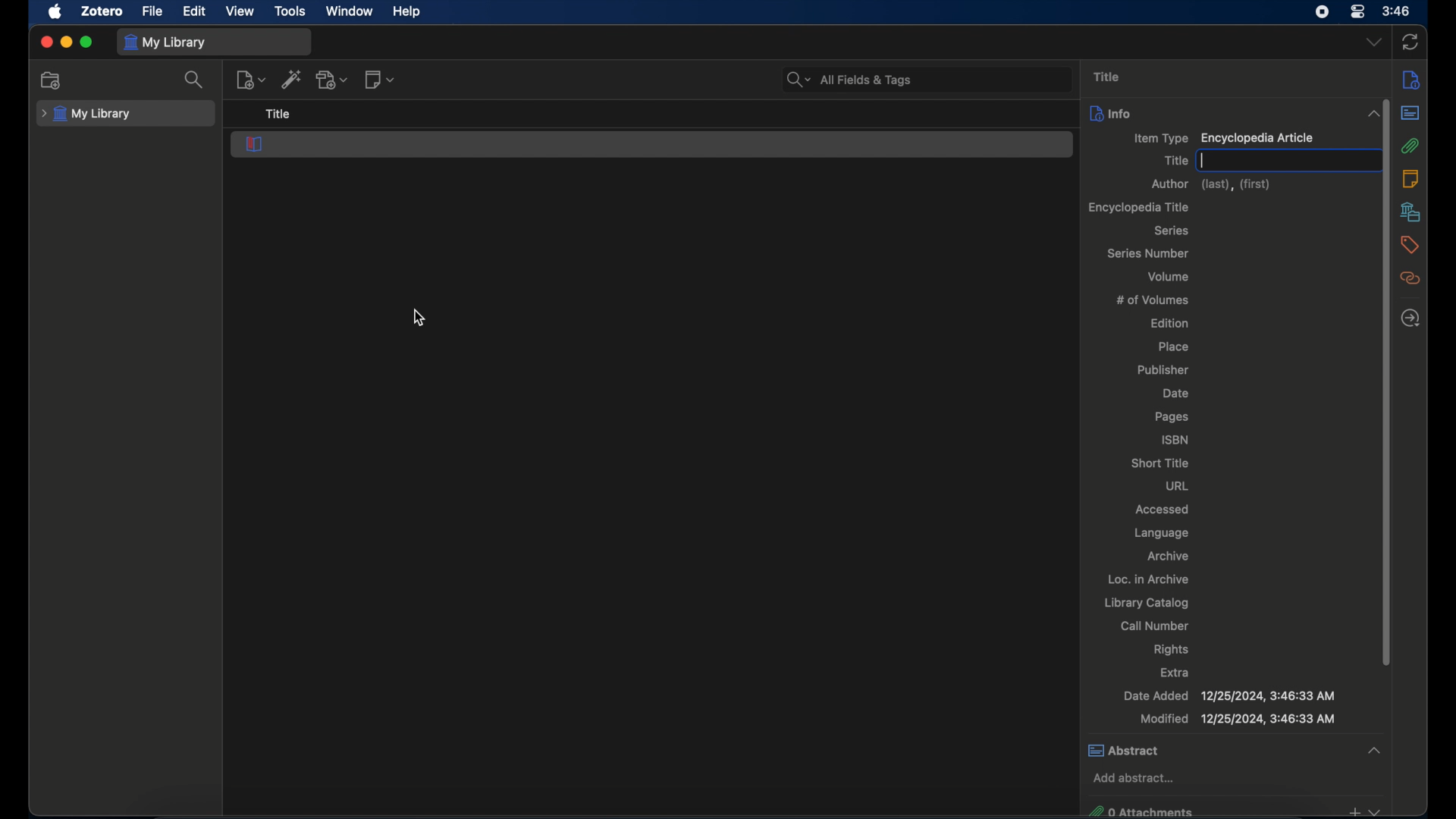 The image size is (1456, 819). What do you see at coordinates (1168, 556) in the screenshot?
I see `archive` at bounding box center [1168, 556].